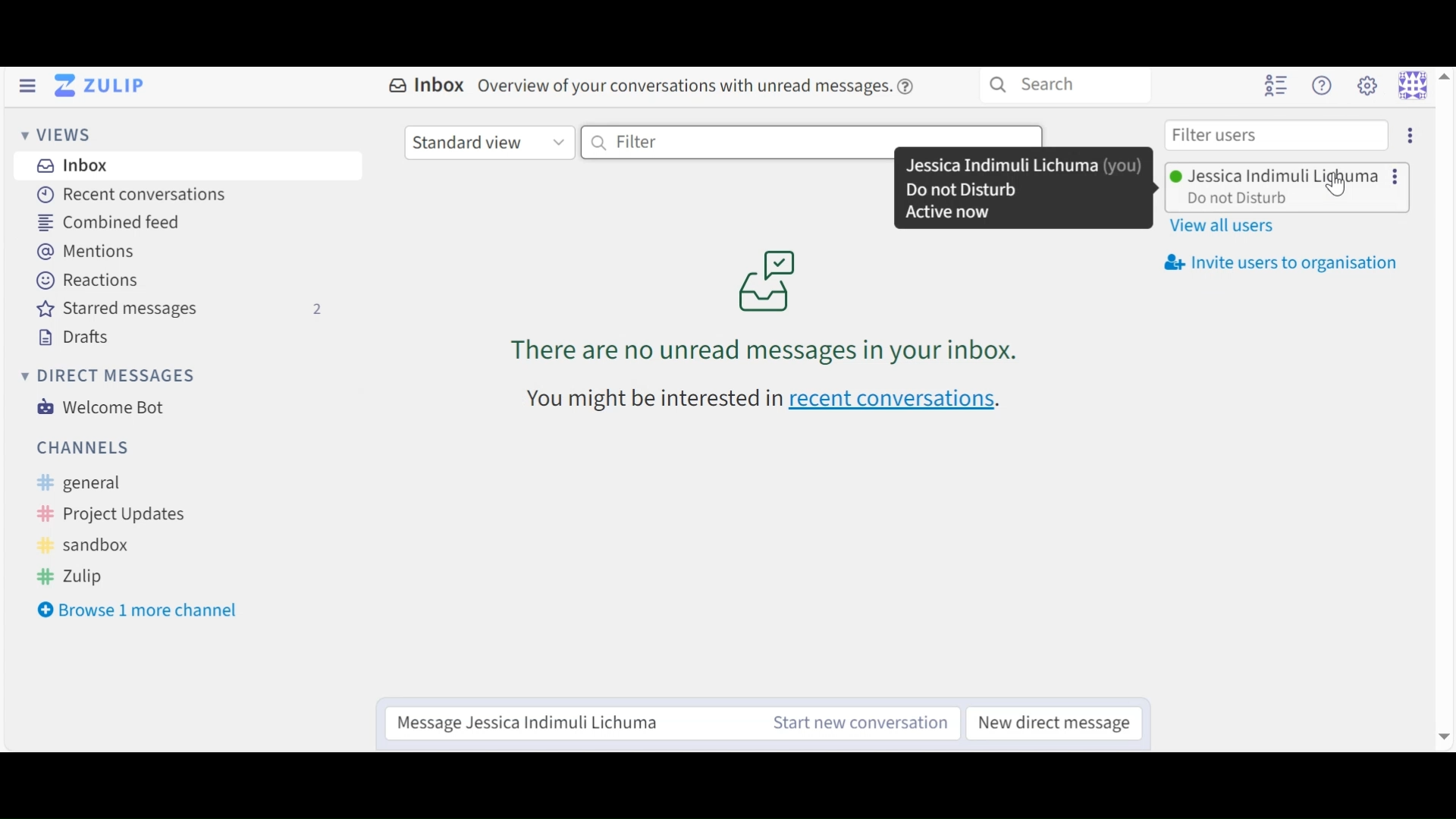 Image resolution: width=1456 pixels, height=819 pixels. Describe the element at coordinates (179, 309) in the screenshot. I see `Starred messages` at that location.